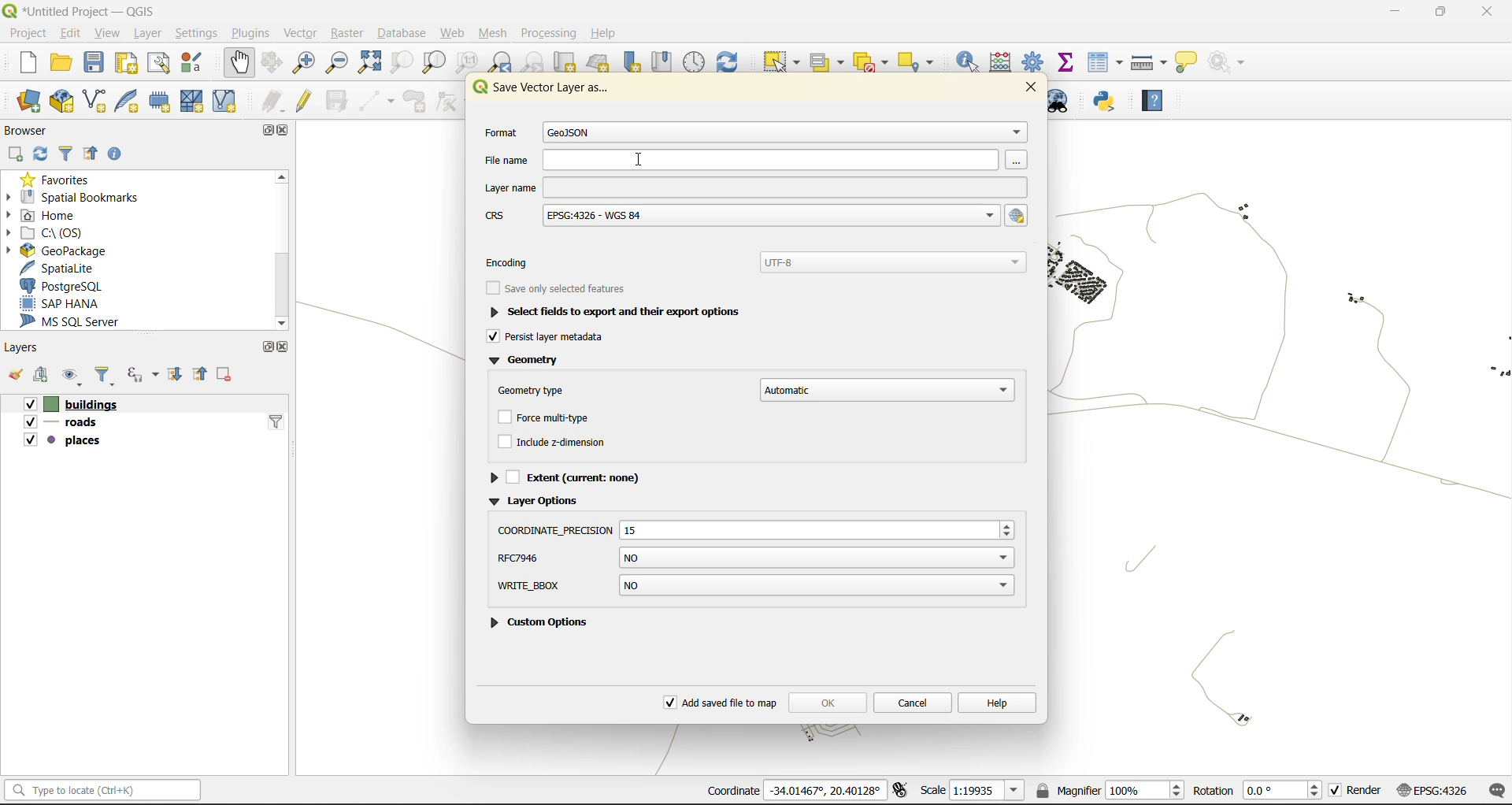  I want to click on zoom selection, so click(398, 62).